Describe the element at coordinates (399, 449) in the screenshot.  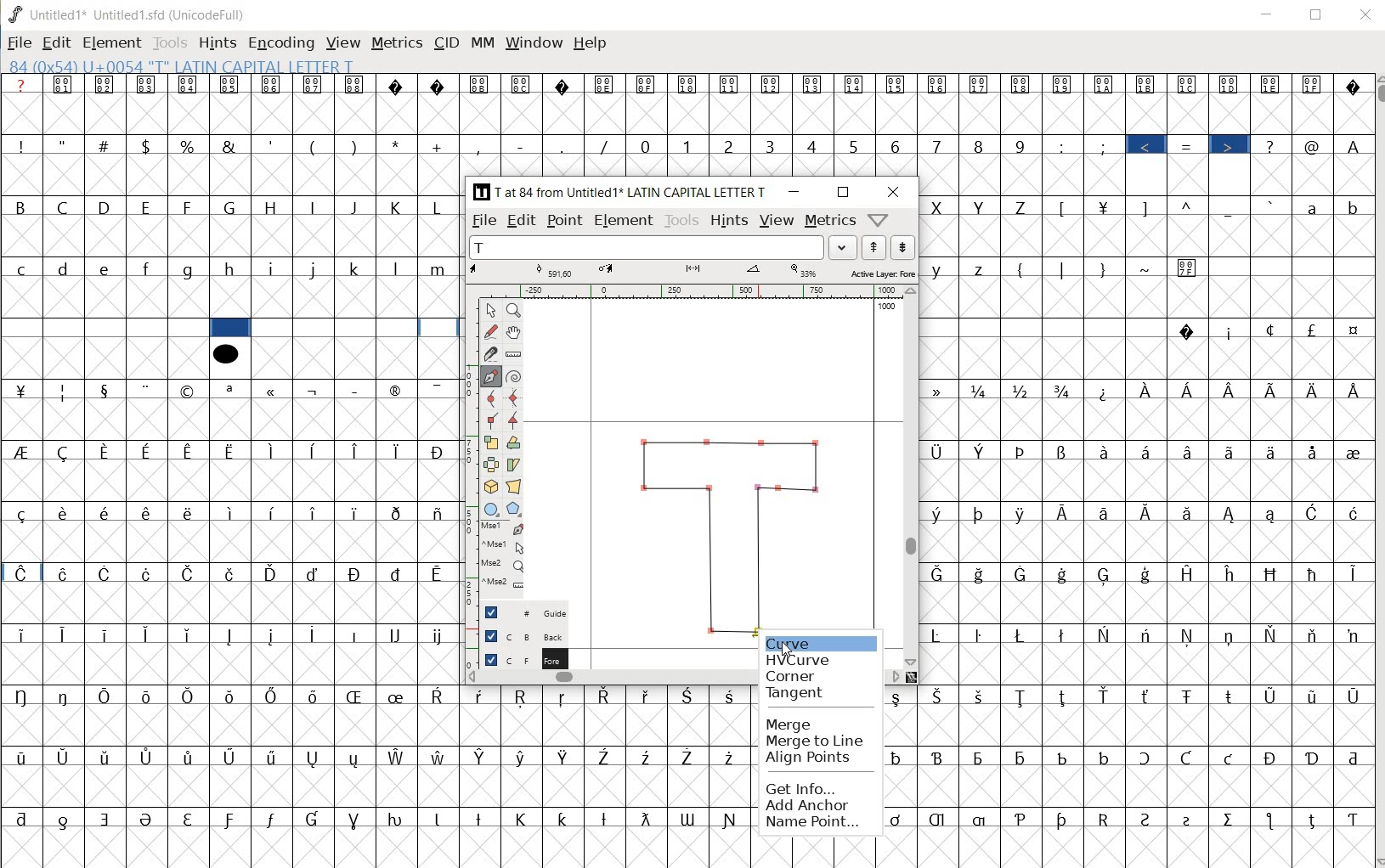
I see `Symbol` at that location.